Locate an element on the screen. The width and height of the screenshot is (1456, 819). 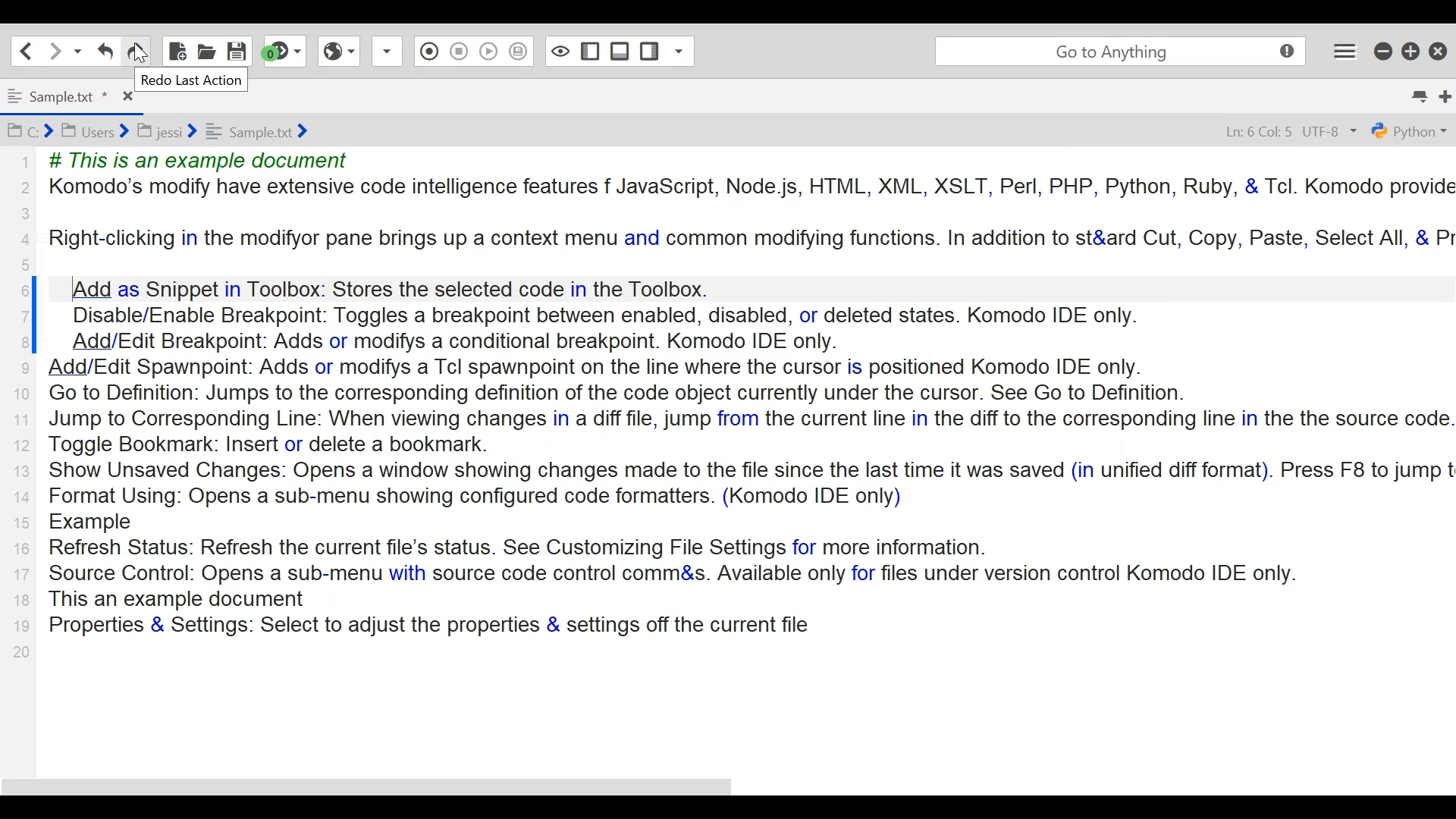
Show/Hide Bottom Pane is located at coordinates (620, 51).